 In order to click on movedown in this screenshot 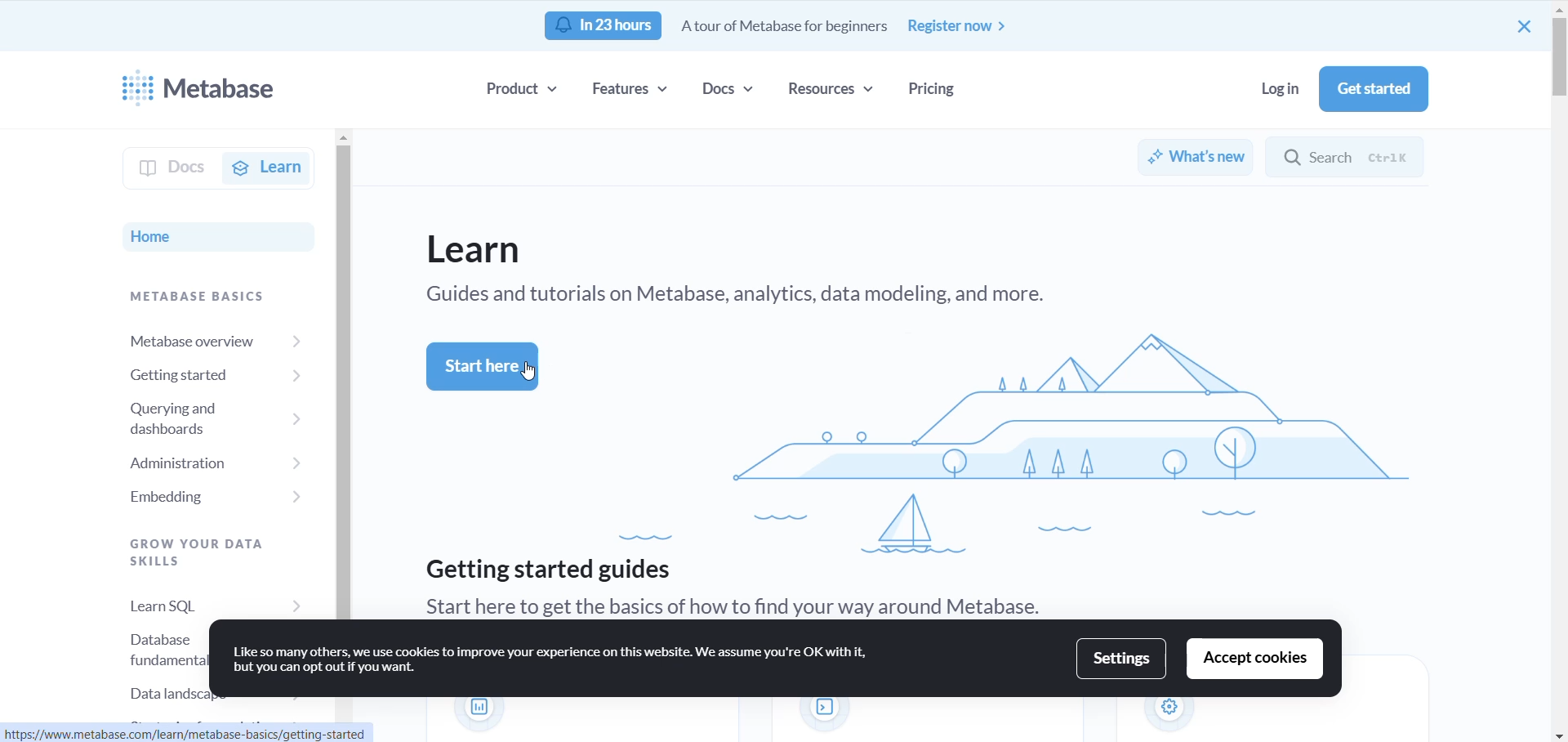, I will do `click(1558, 734)`.